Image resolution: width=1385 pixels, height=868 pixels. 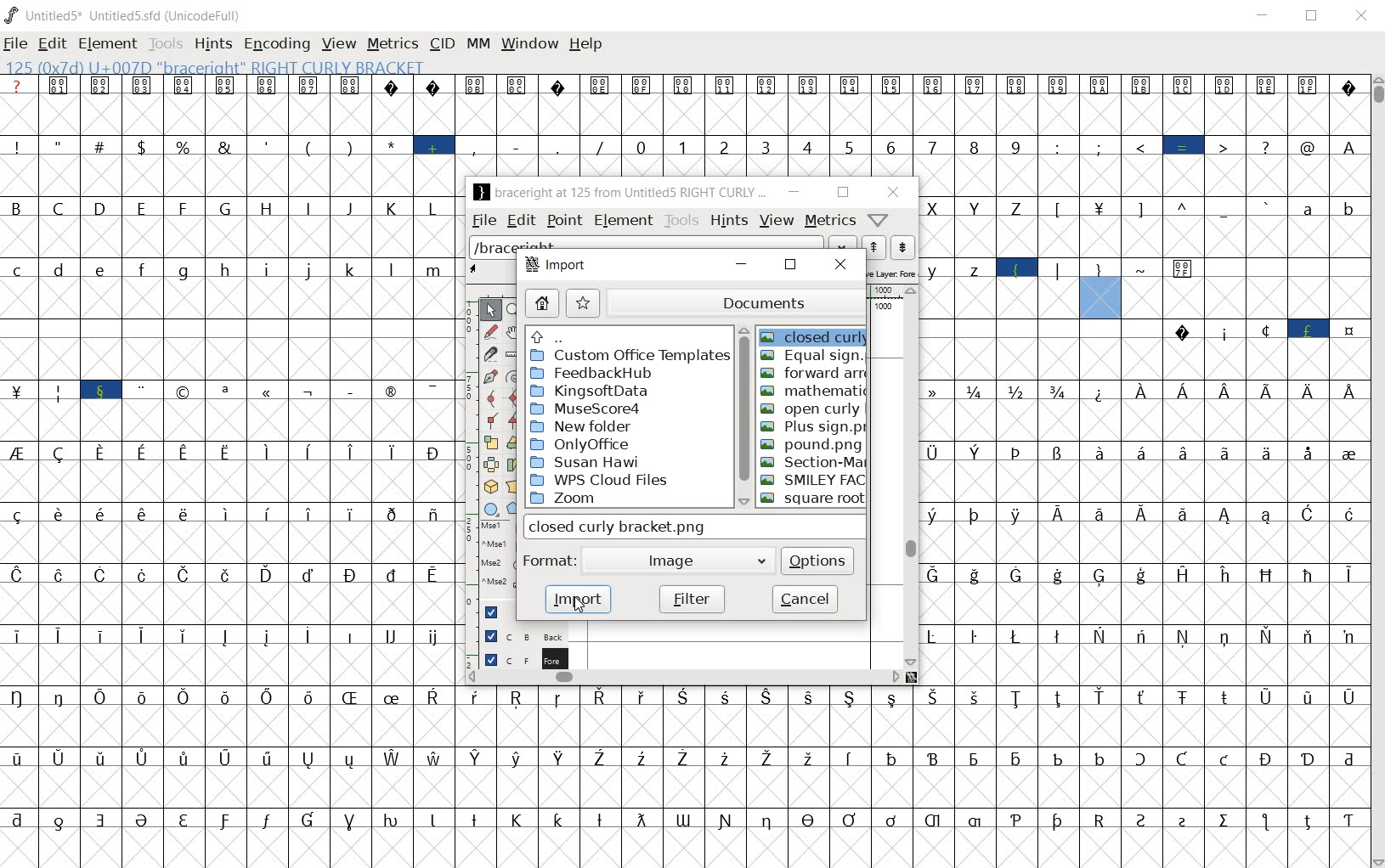 What do you see at coordinates (513, 397) in the screenshot?
I see `add a curve point always either horizontal or vertical` at bounding box center [513, 397].